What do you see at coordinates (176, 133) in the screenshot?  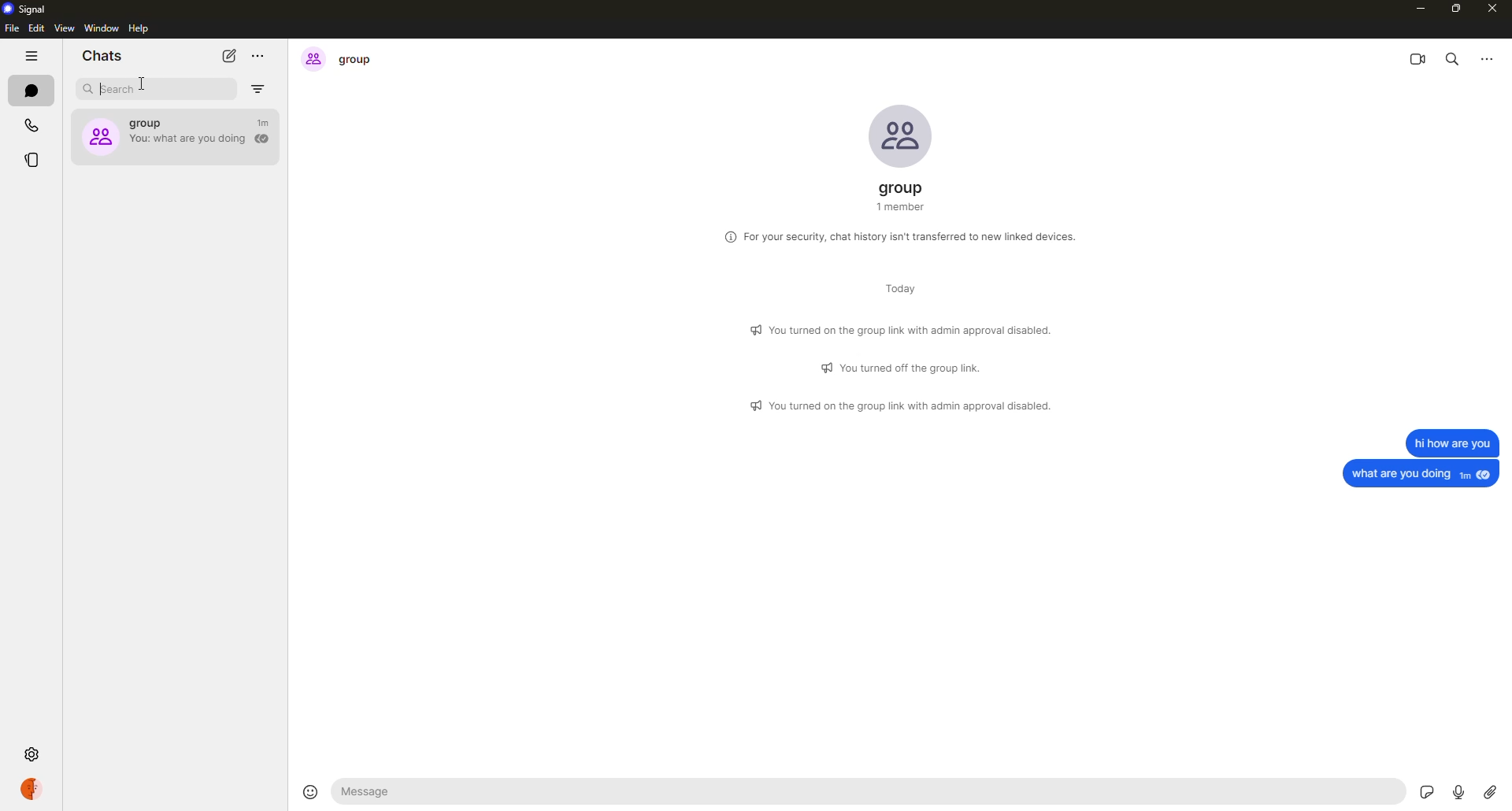 I see `group` at bounding box center [176, 133].